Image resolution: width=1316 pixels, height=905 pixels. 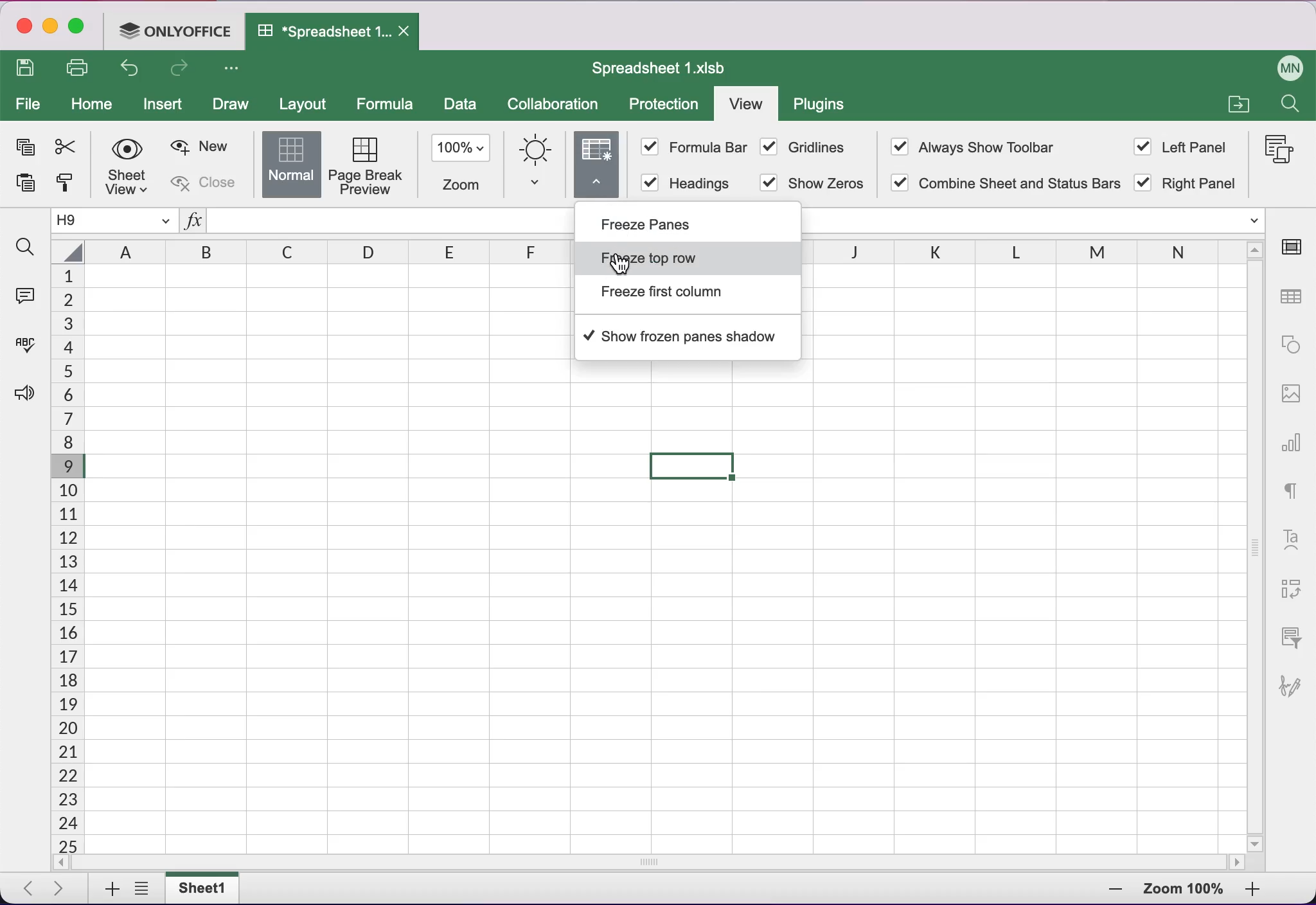 I want to click on combine sheet and status bar, so click(x=1002, y=184).